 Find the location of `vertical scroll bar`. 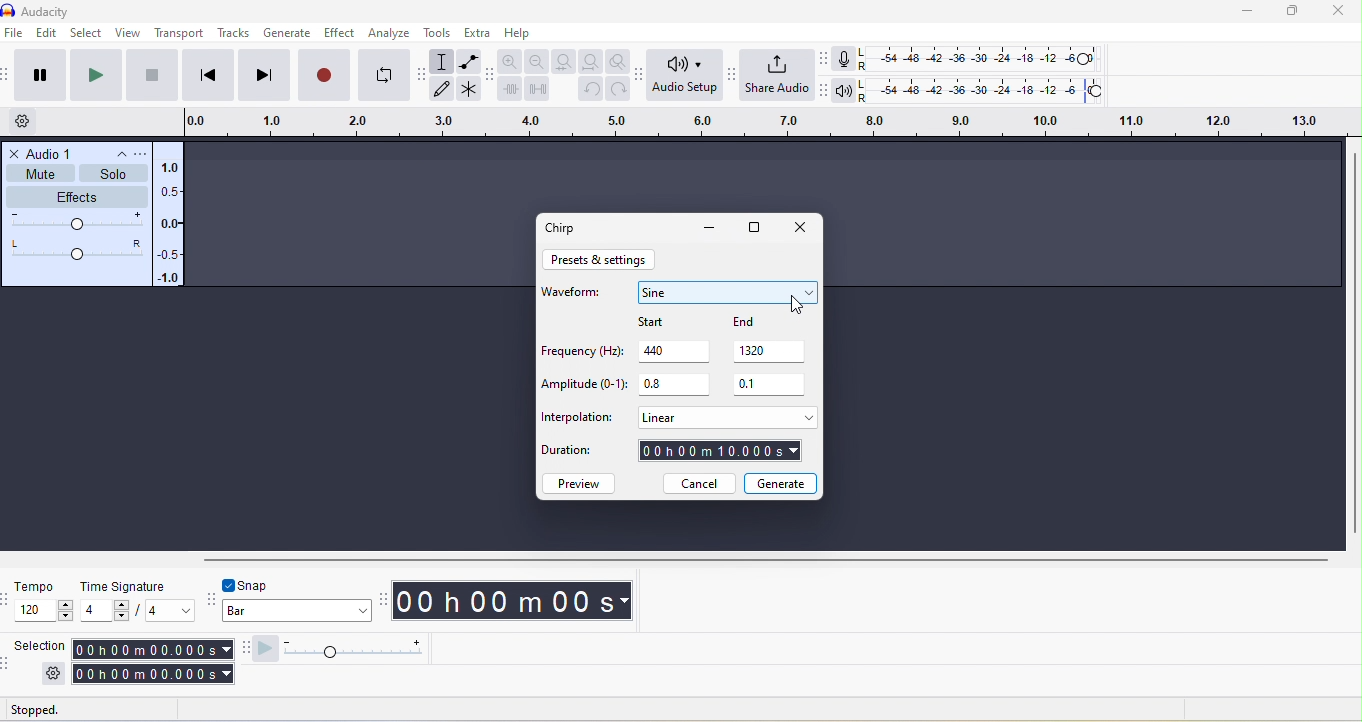

vertical scroll bar is located at coordinates (1353, 343).